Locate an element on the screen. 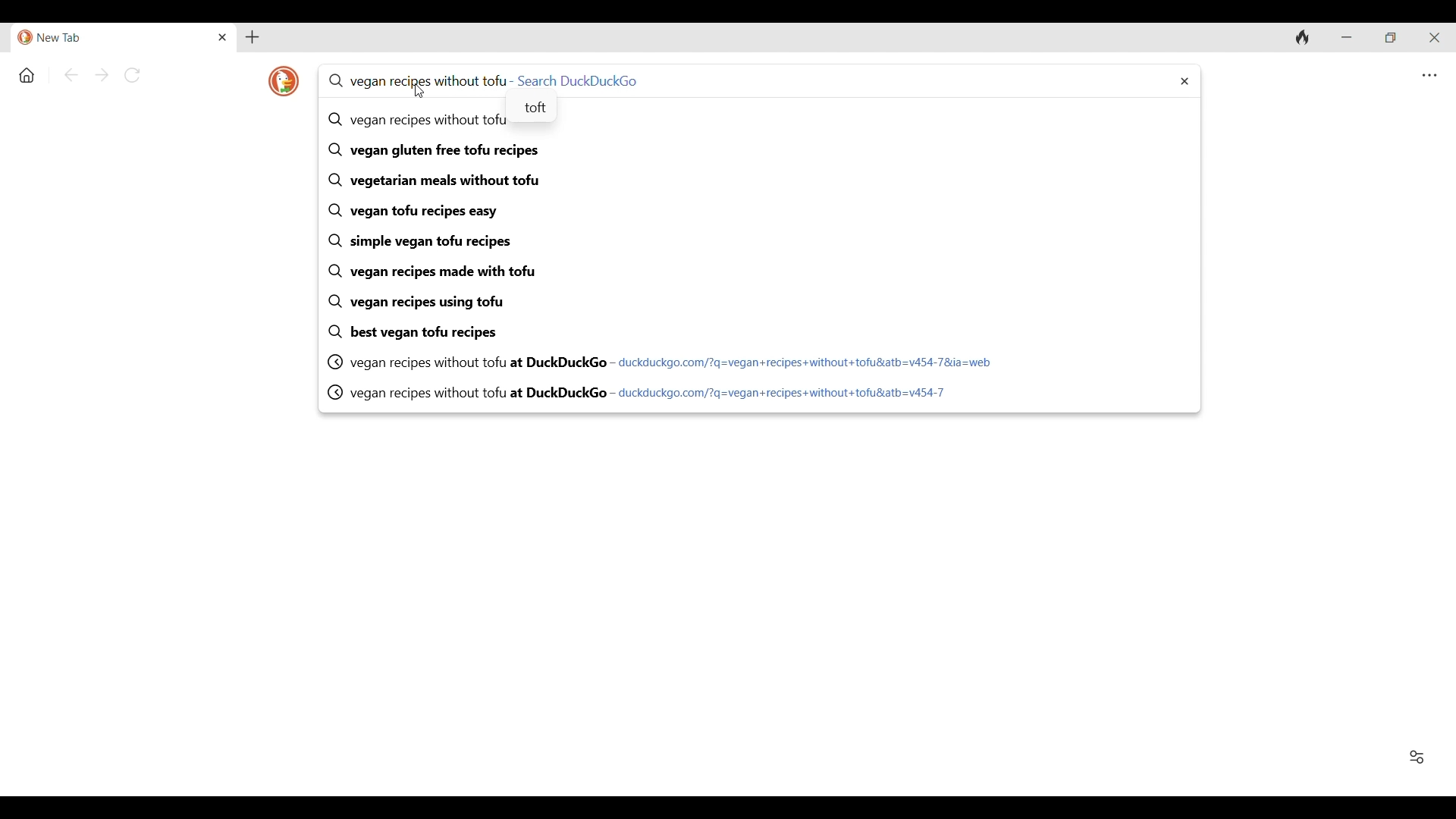  vegan recipes using tofu is located at coordinates (759, 303).